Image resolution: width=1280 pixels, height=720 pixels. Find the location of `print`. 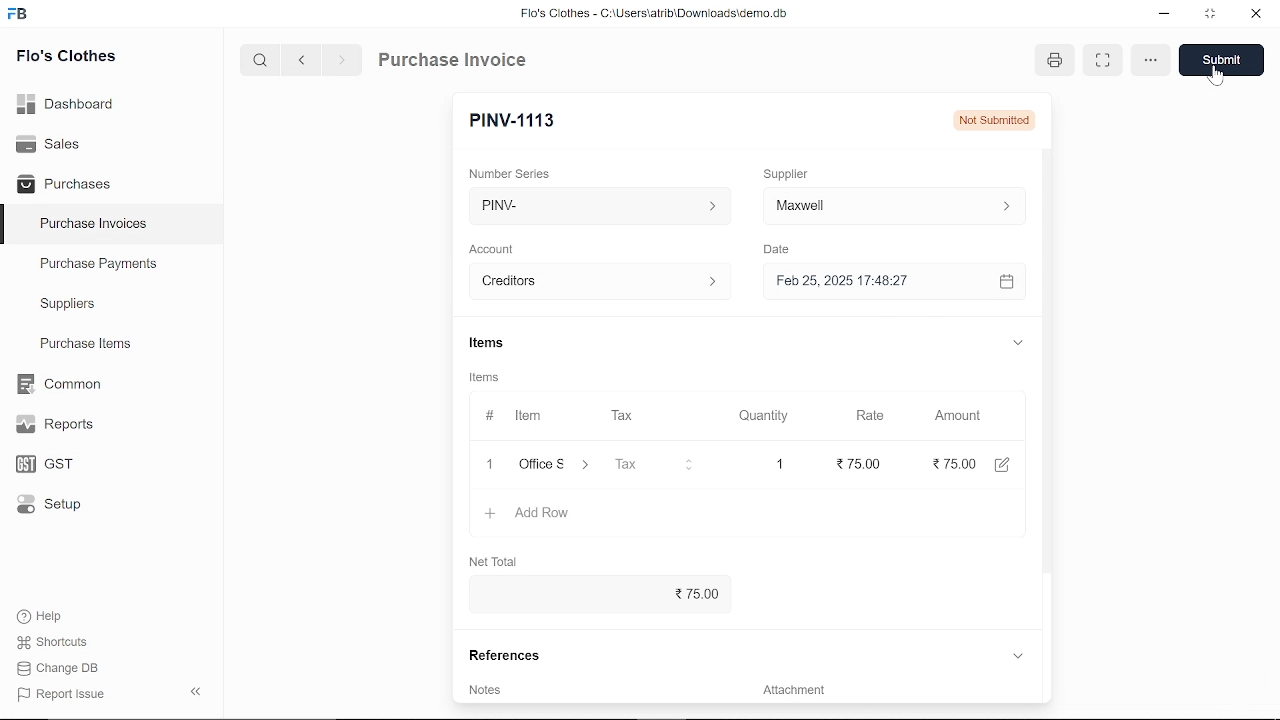

print is located at coordinates (1053, 61).